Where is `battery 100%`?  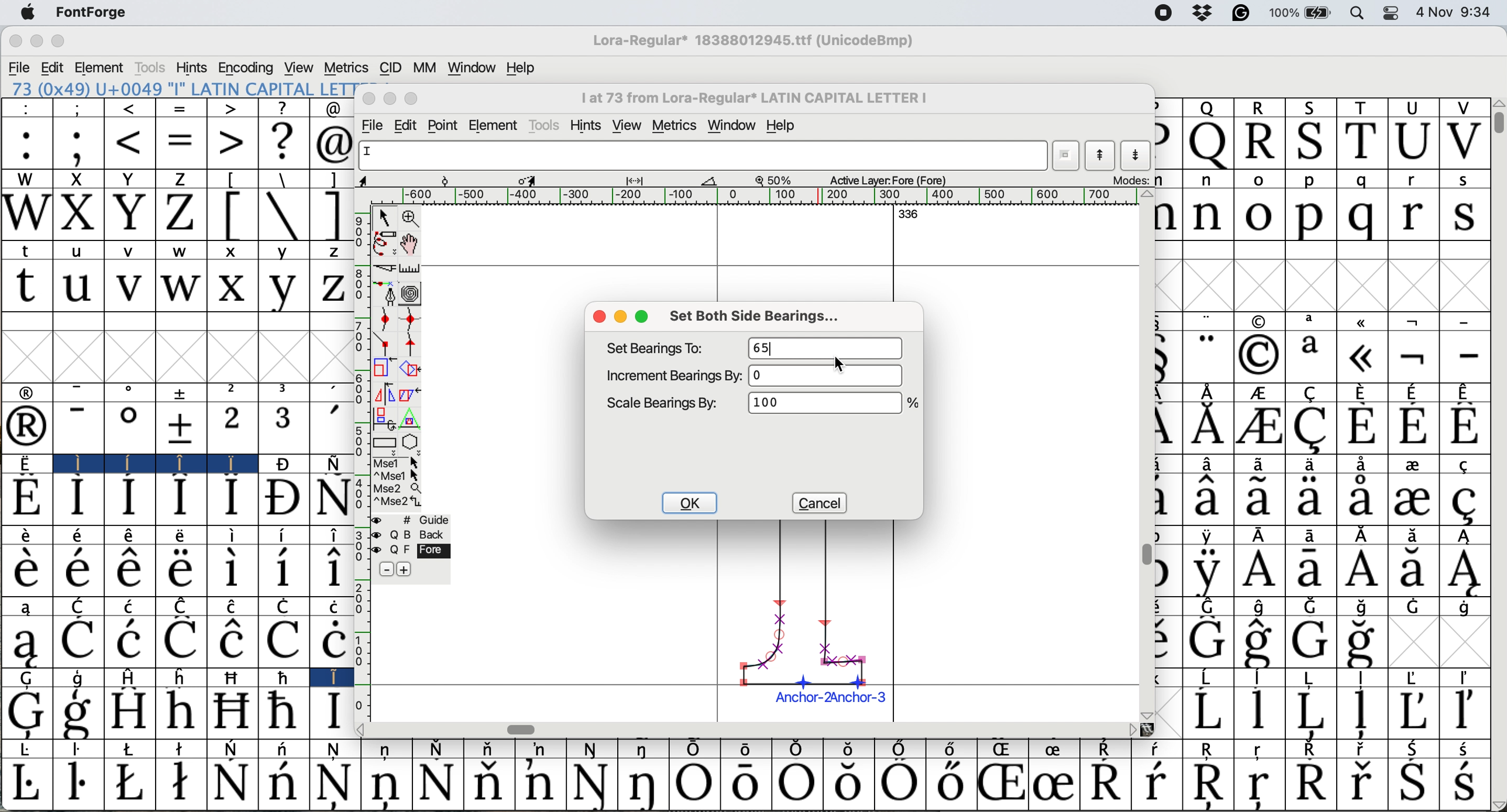 battery 100% is located at coordinates (1303, 12).